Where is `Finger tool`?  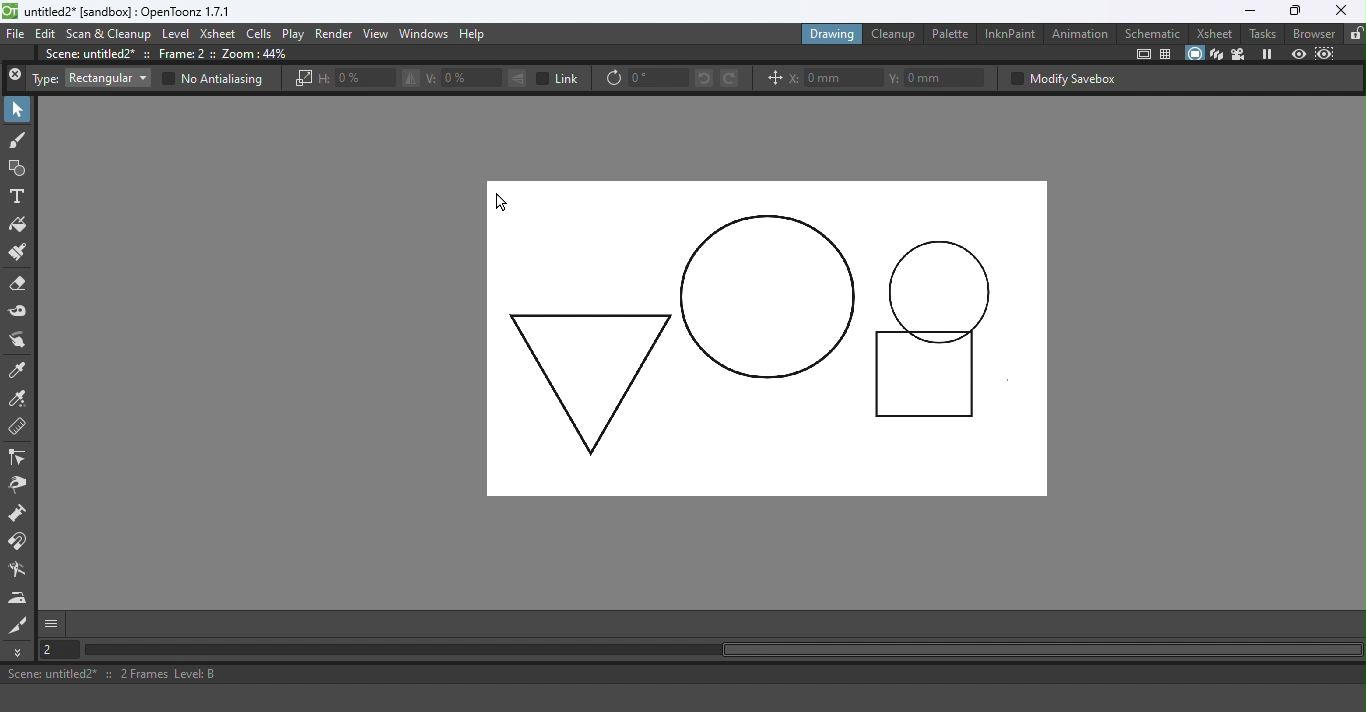 Finger tool is located at coordinates (21, 340).